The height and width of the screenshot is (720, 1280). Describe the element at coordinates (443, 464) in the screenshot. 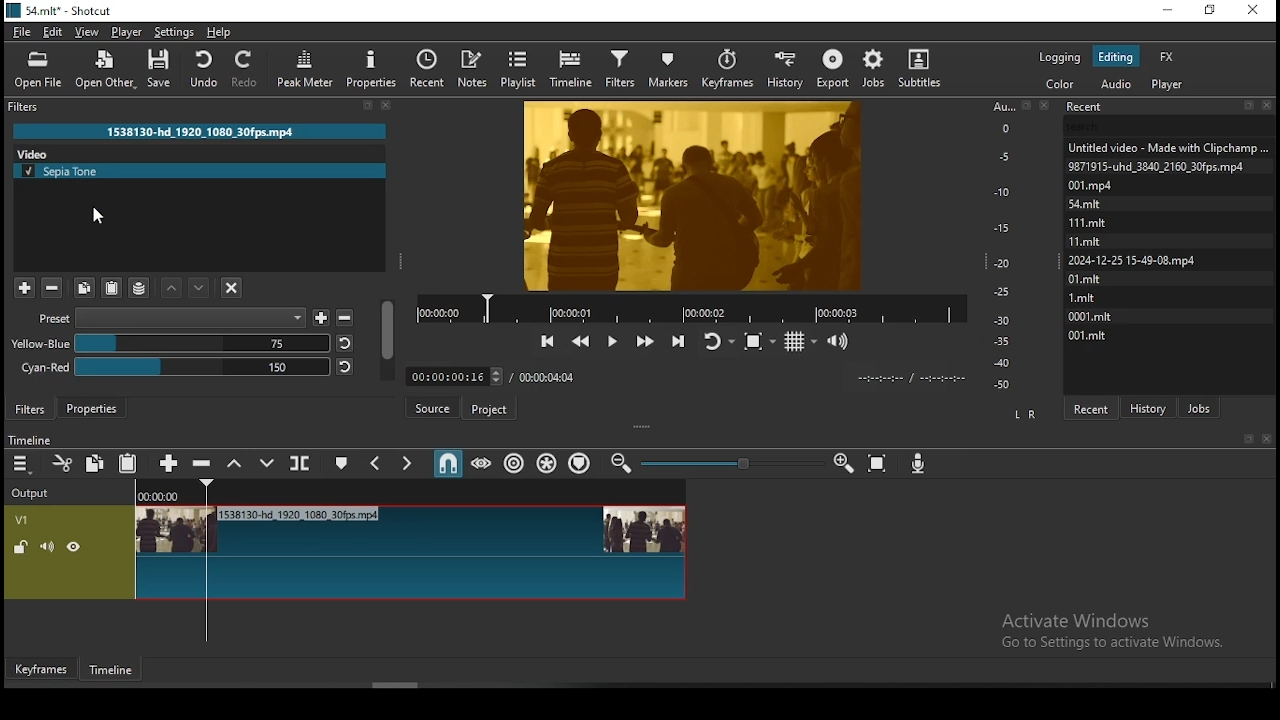

I see `snap` at that location.